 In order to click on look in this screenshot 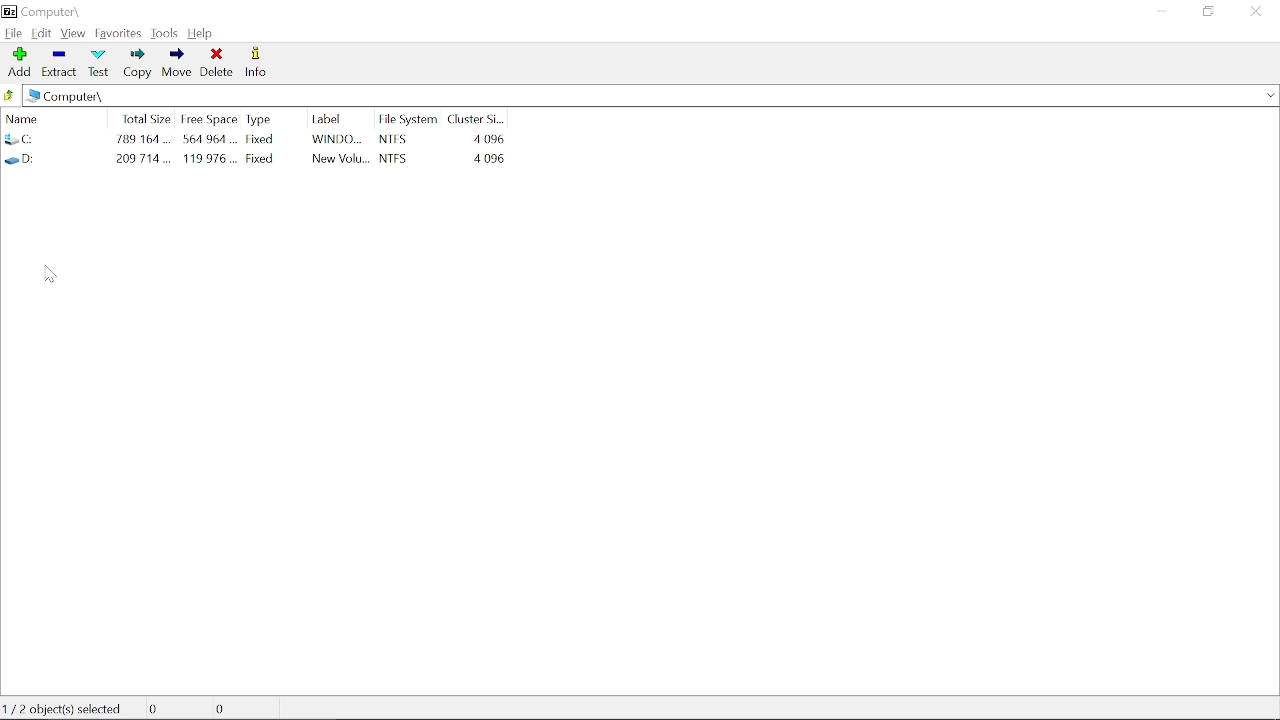, I will do `click(166, 33)`.